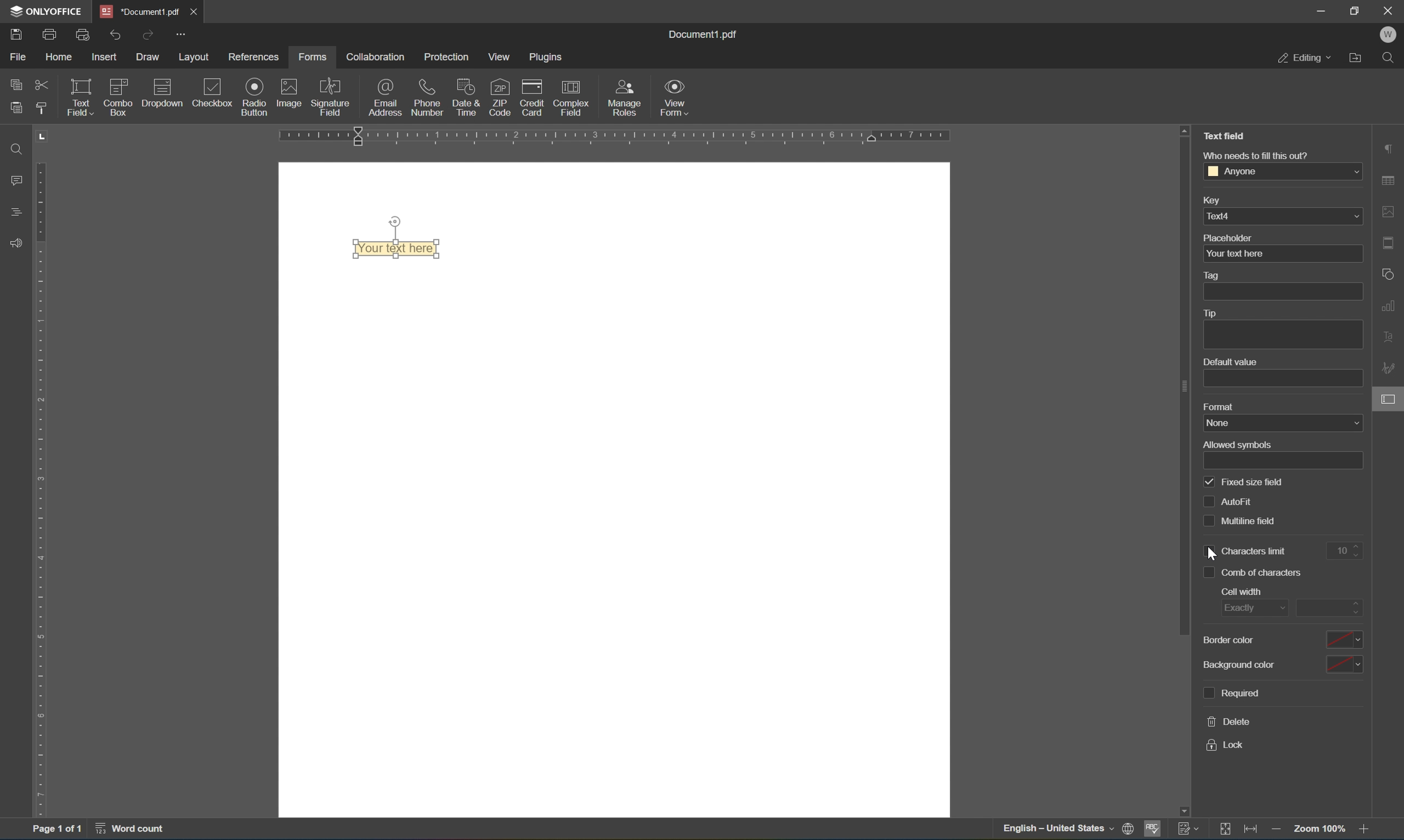 This screenshot has width=1404, height=840. I want to click on checkbox, so click(1209, 501).